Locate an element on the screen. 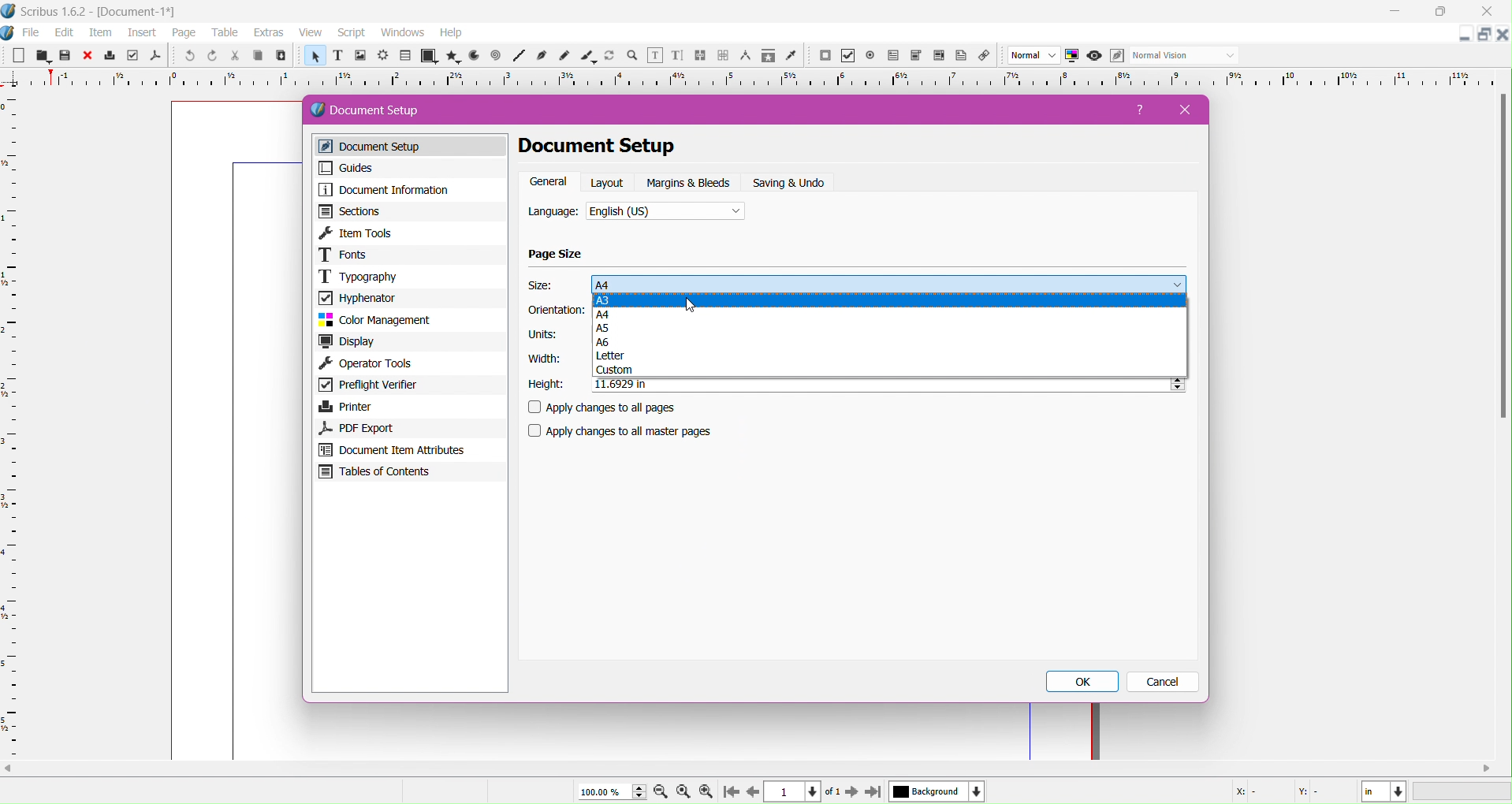 This screenshot has height=804, width=1512. copy is located at coordinates (255, 57).